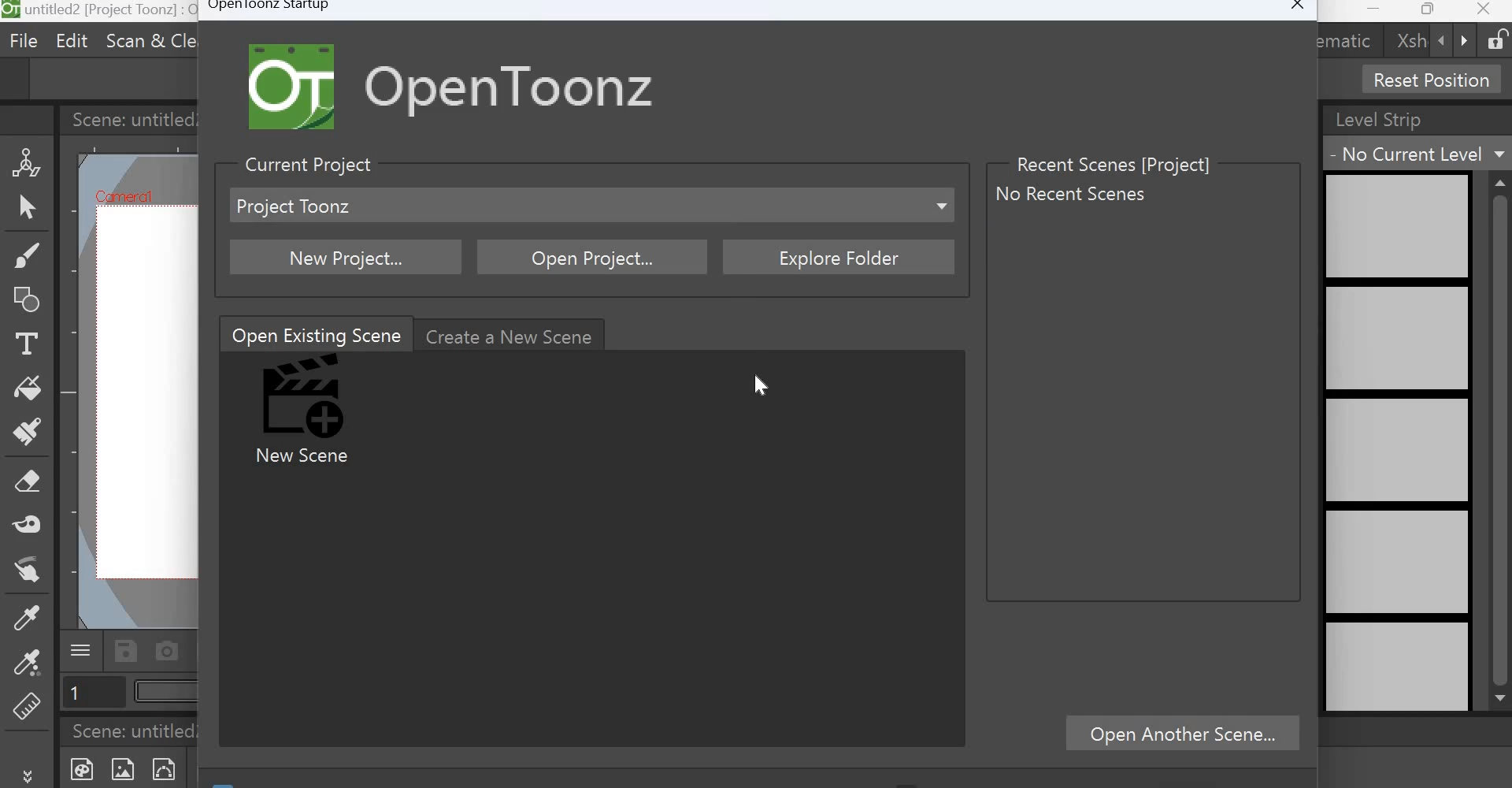  What do you see at coordinates (294, 206) in the screenshot?
I see `project` at bounding box center [294, 206].